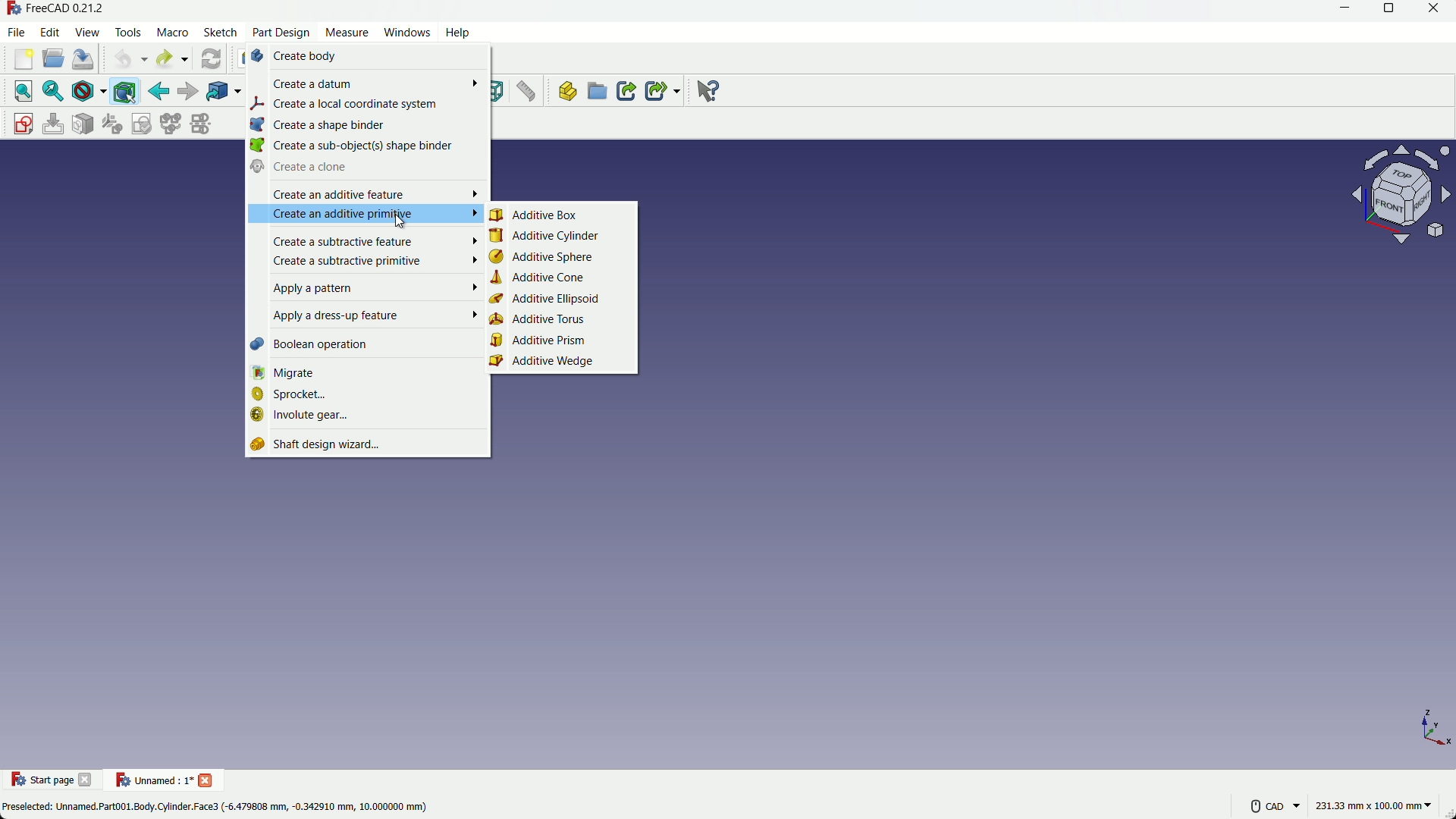 This screenshot has height=819, width=1456. Describe the element at coordinates (366, 374) in the screenshot. I see `migrate` at that location.